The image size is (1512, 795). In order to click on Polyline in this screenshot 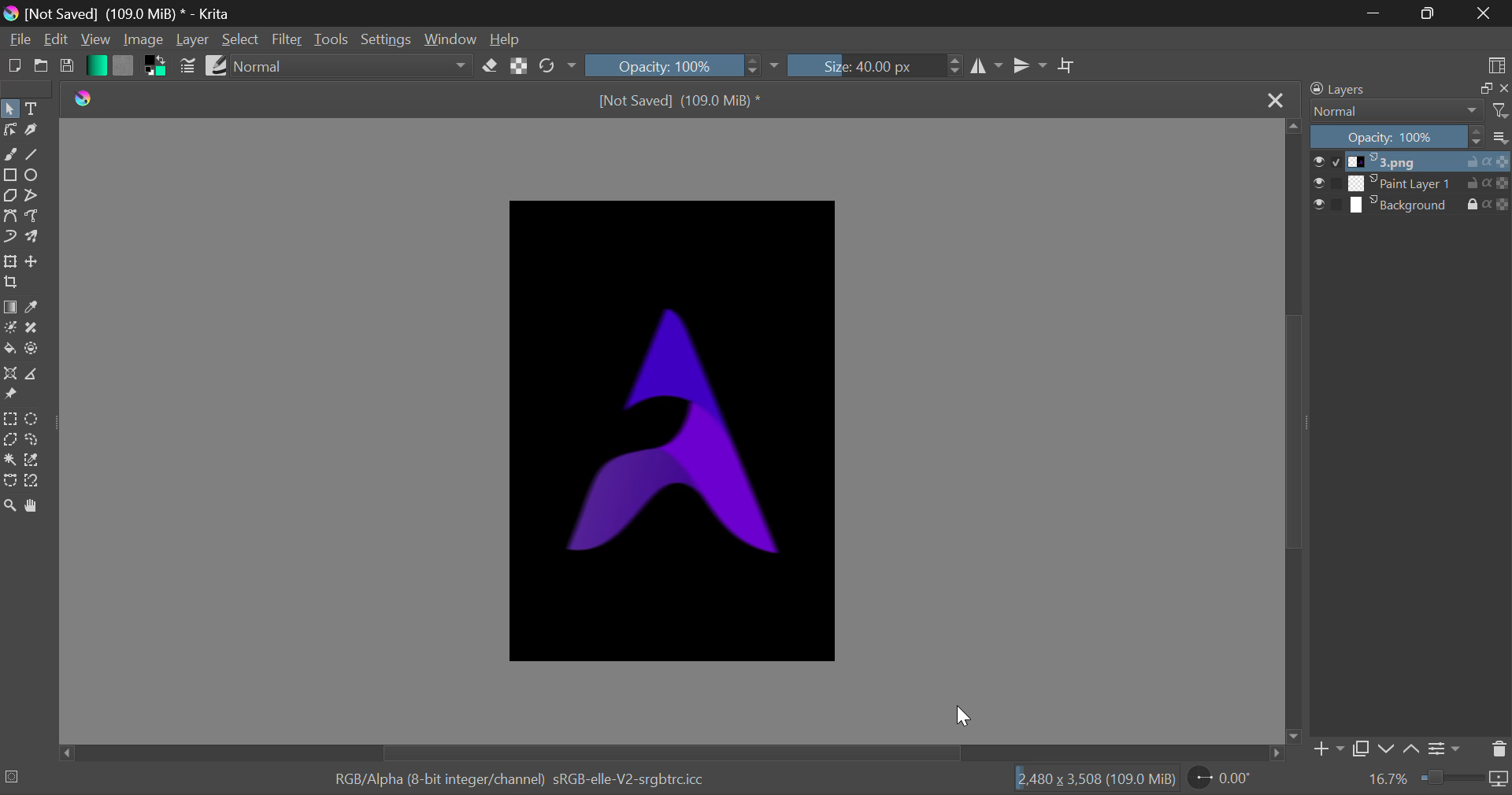, I will do `click(33, 196)`.